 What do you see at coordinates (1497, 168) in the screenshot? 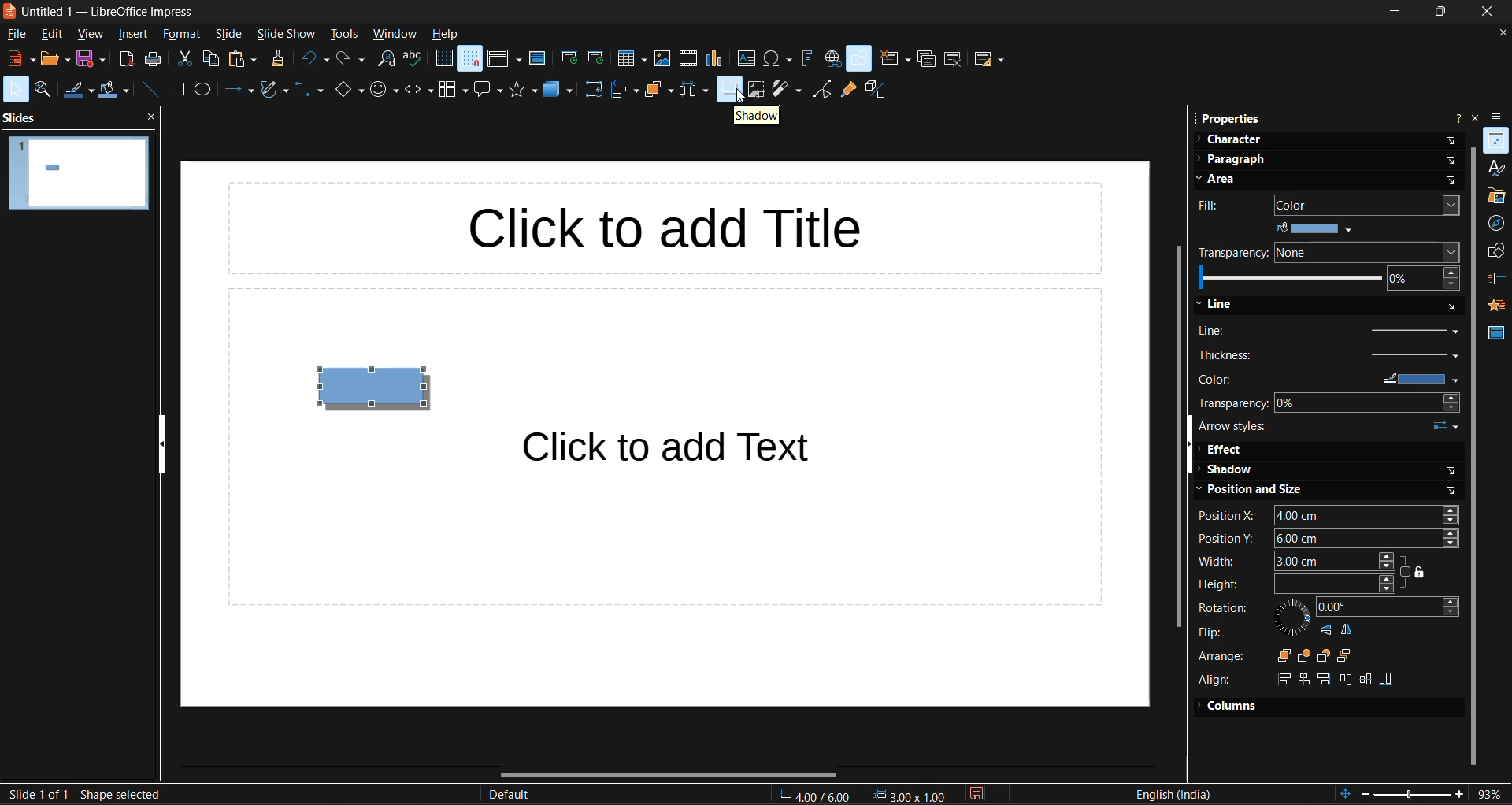
I see `styles` at bounding box center [1497, 168].